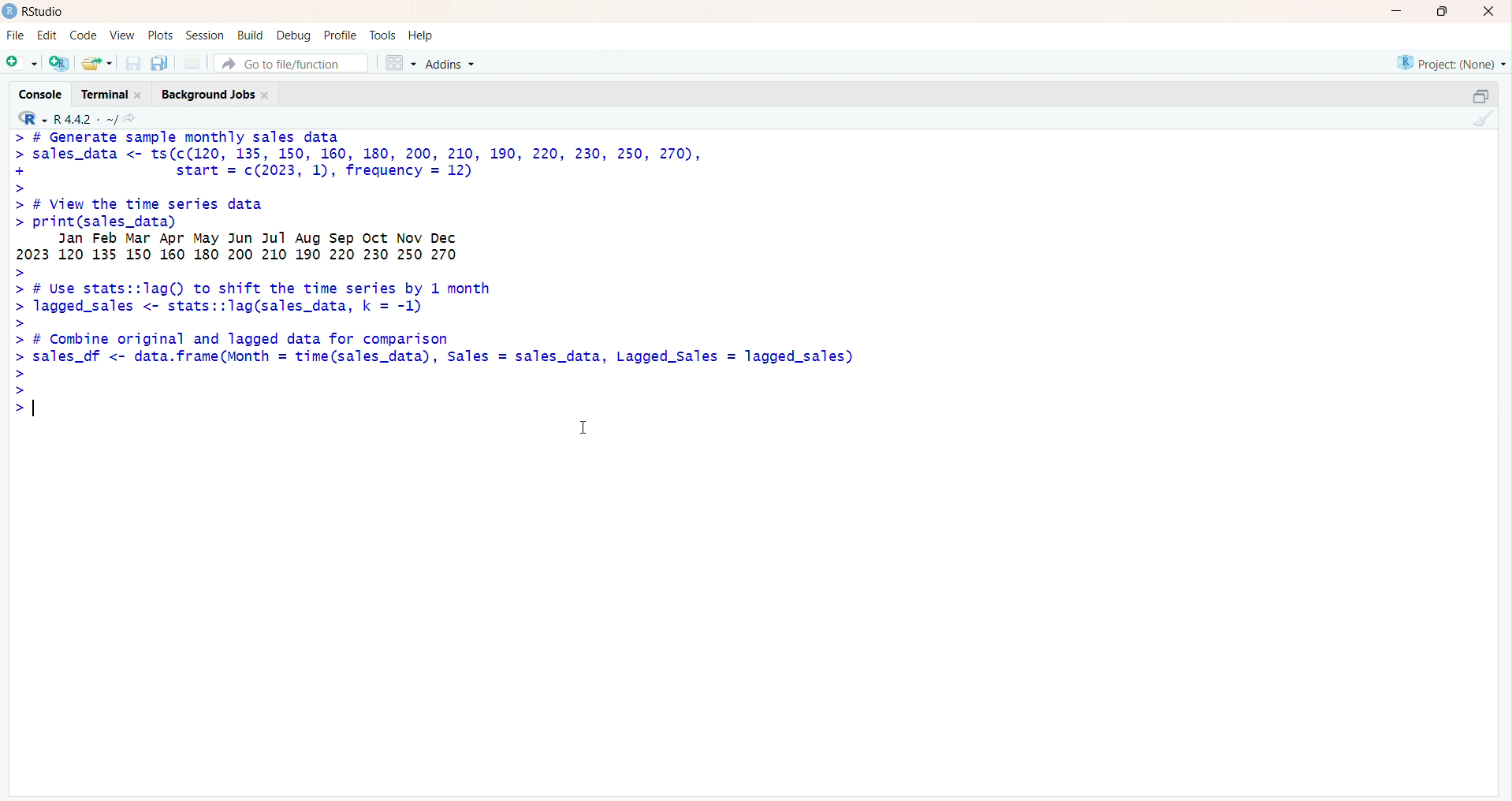 The width and height of the screenshot is (1512, 801). Describe the element at coordinates (34, 409) in the screenshot. I see `text cursor` at that location.